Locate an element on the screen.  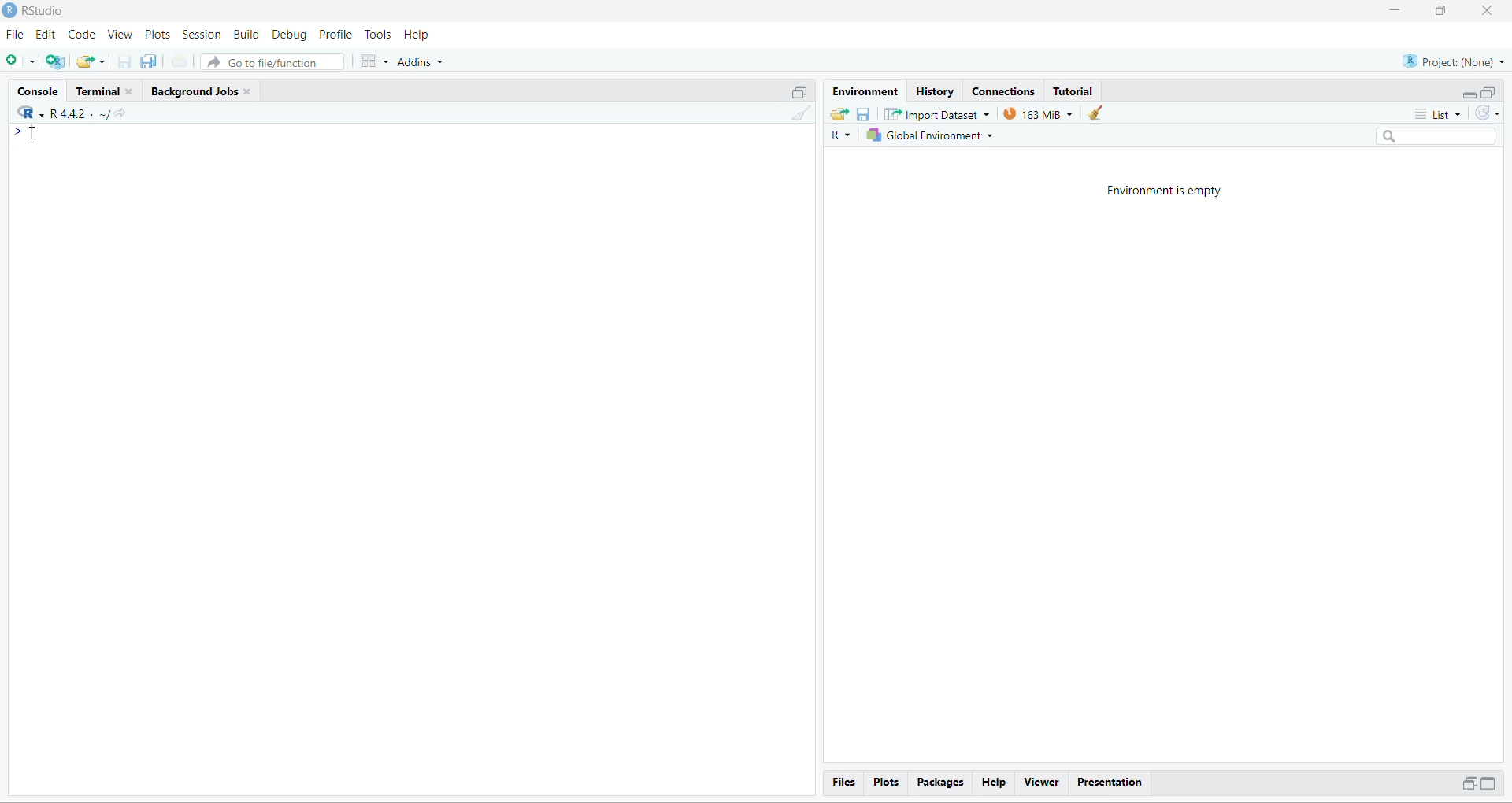
print is located at coordinates (180, 61).